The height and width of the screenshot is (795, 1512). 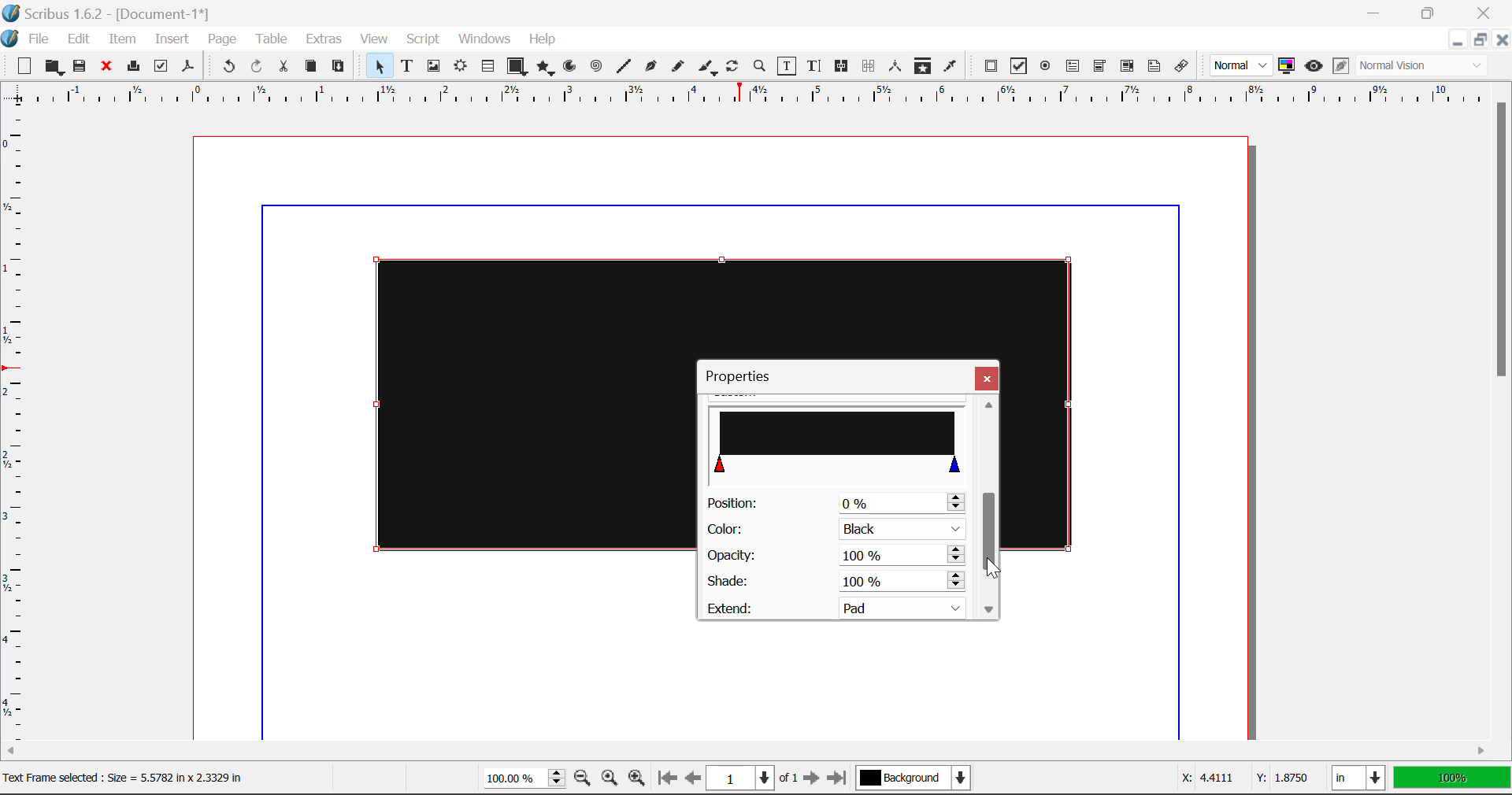 What do you see at coordinates (13, 39) in the screenshot?
I see `scribus logo` at bounding box center [13, 39].